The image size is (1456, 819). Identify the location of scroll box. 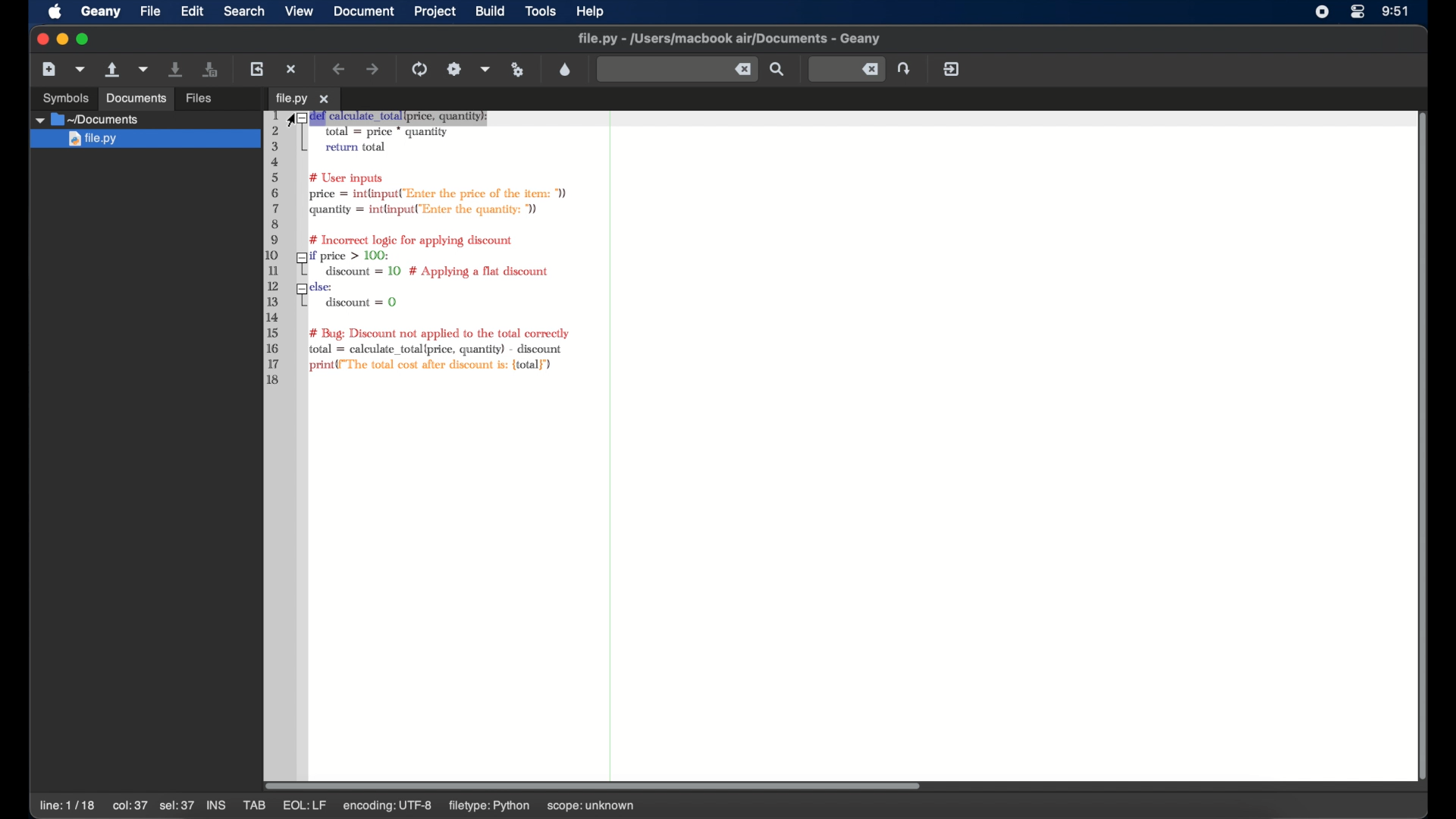
(600, 786).